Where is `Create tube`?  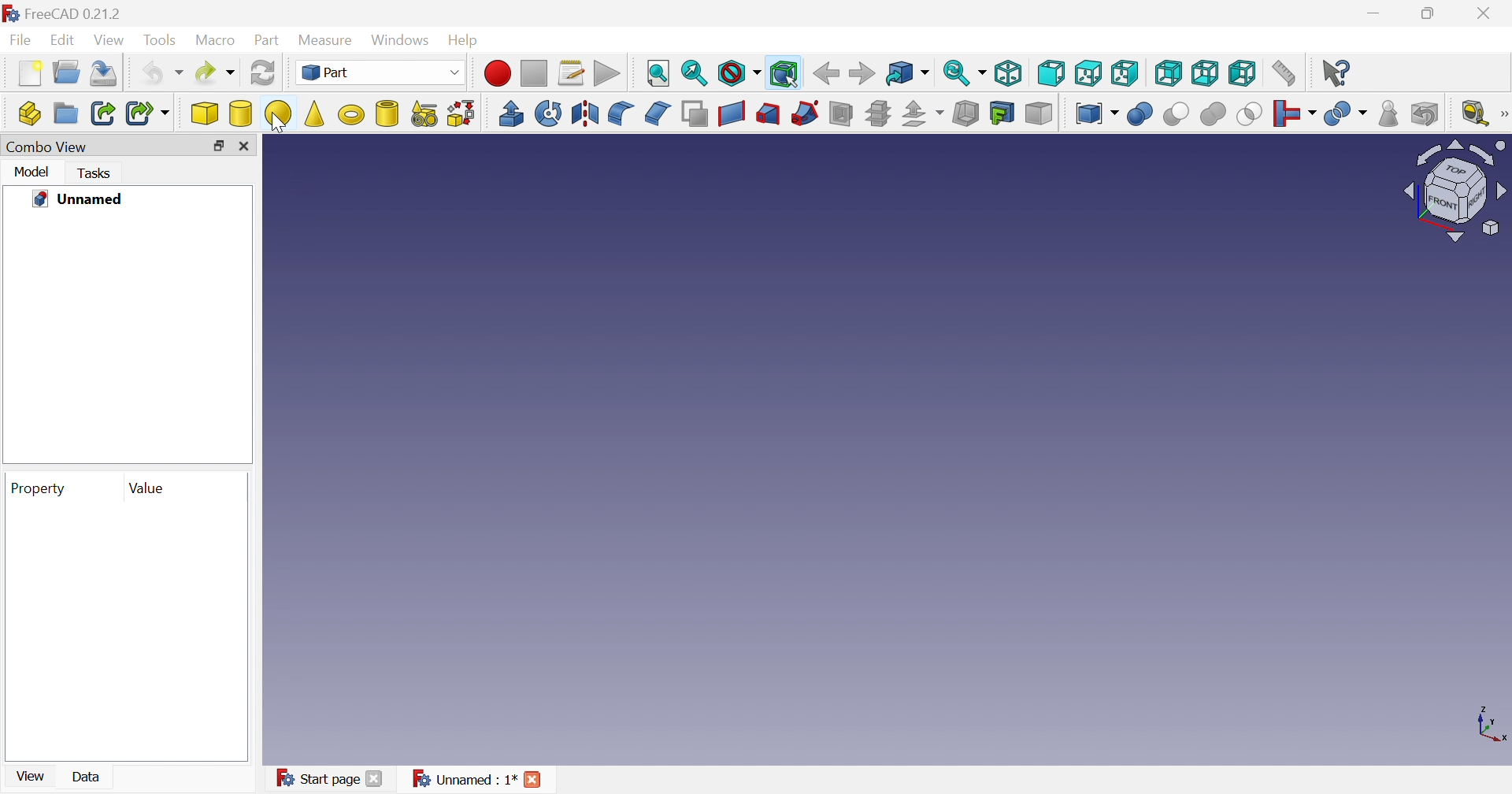
Create tube is located at coordinates (388, 114).